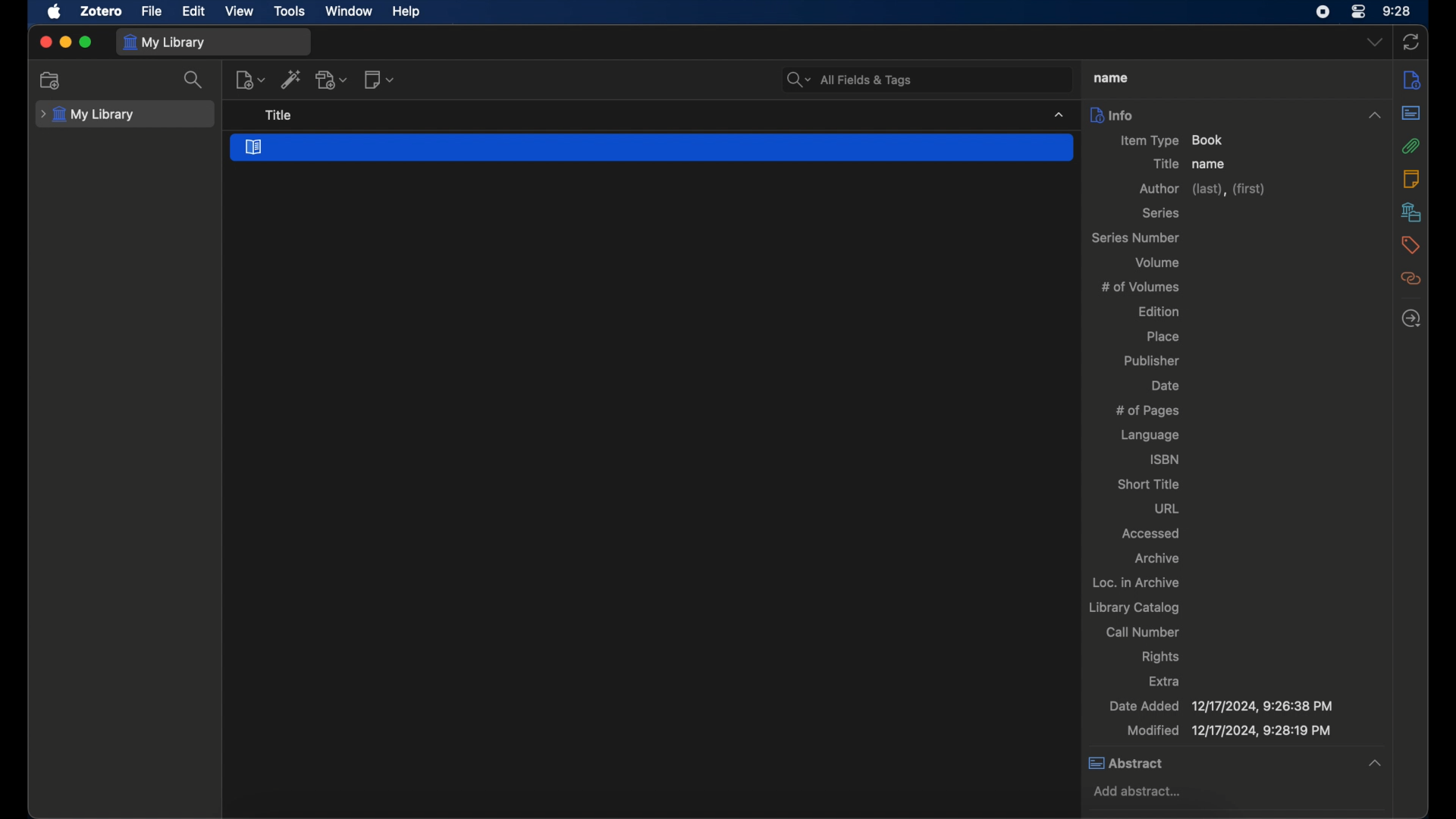  I want to click on author, so click(1203, 189).